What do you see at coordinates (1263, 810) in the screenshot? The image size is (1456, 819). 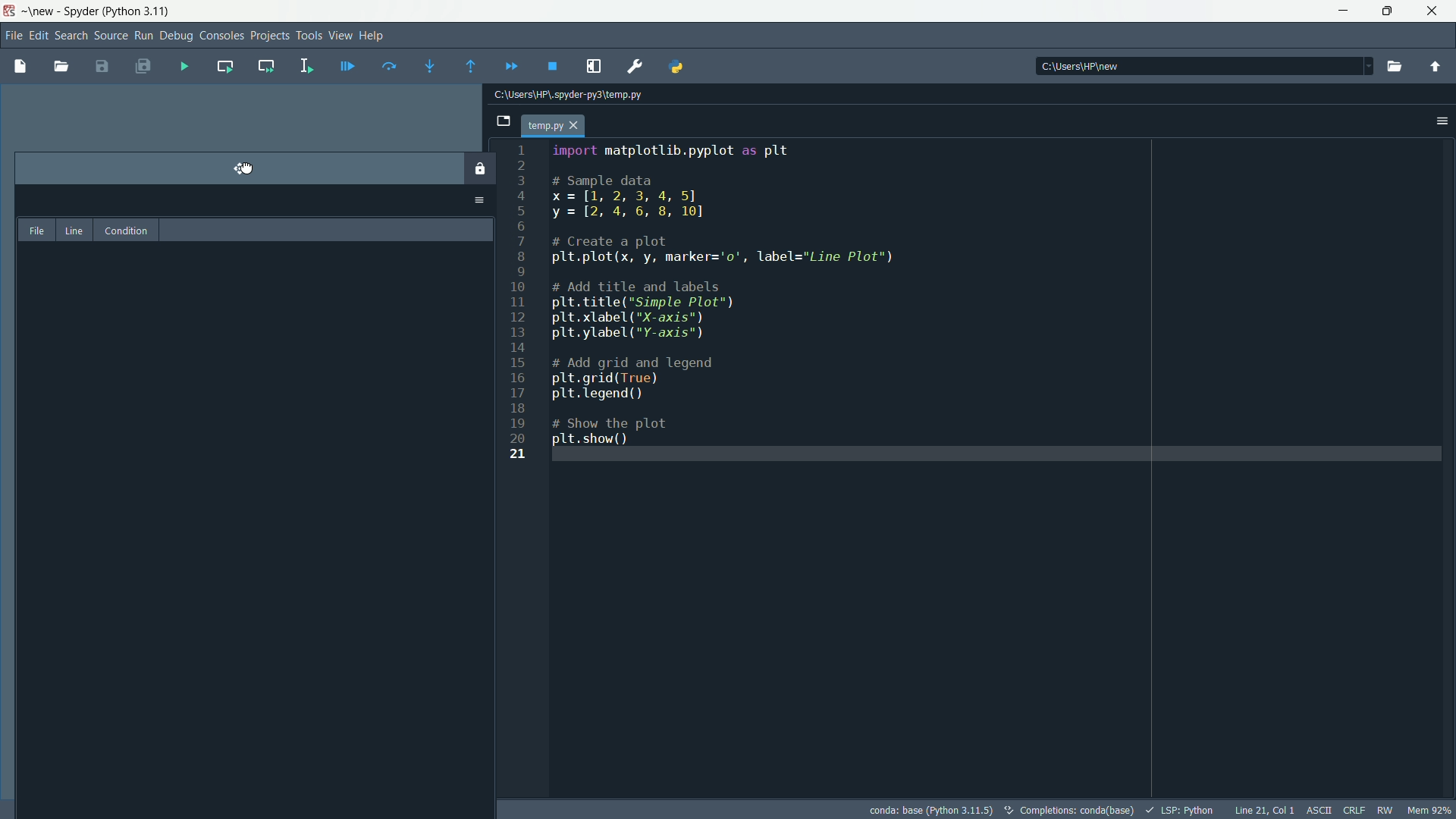 I see `line 21, Col 1` at bounding box center [1263, 810].